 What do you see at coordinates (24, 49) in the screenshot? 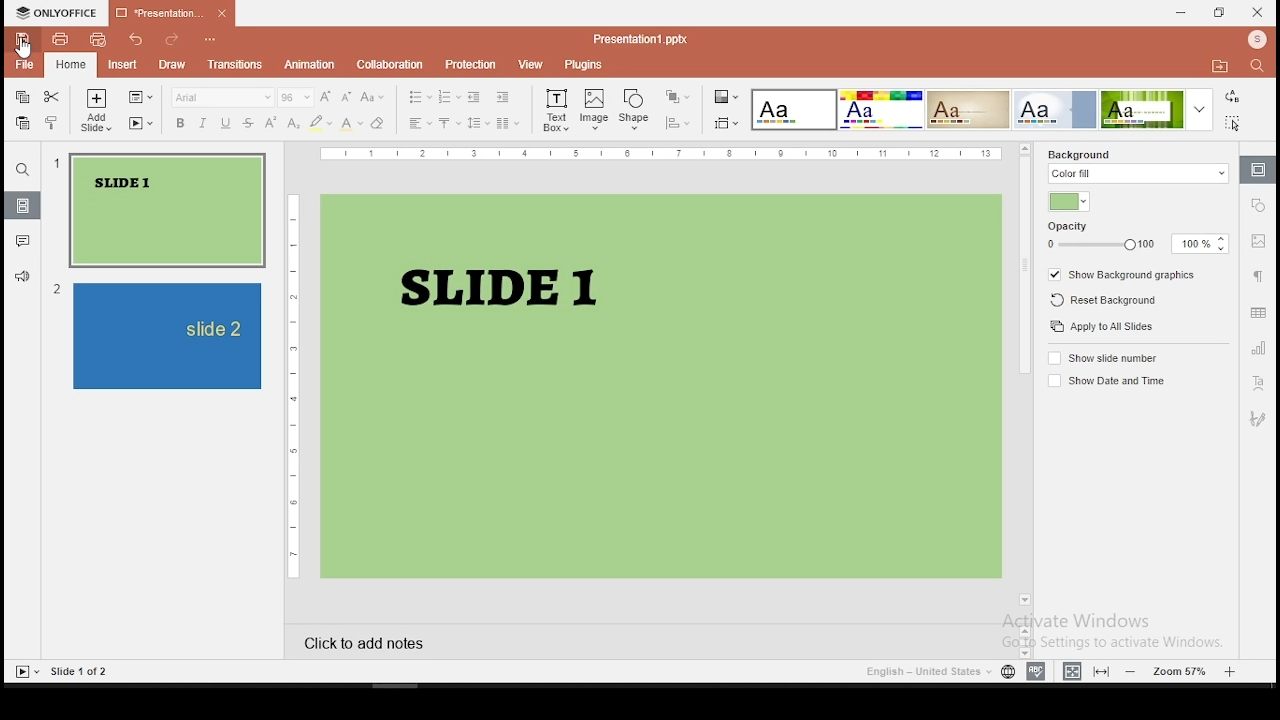
I see `cursor` at bounding box center [24, 49].